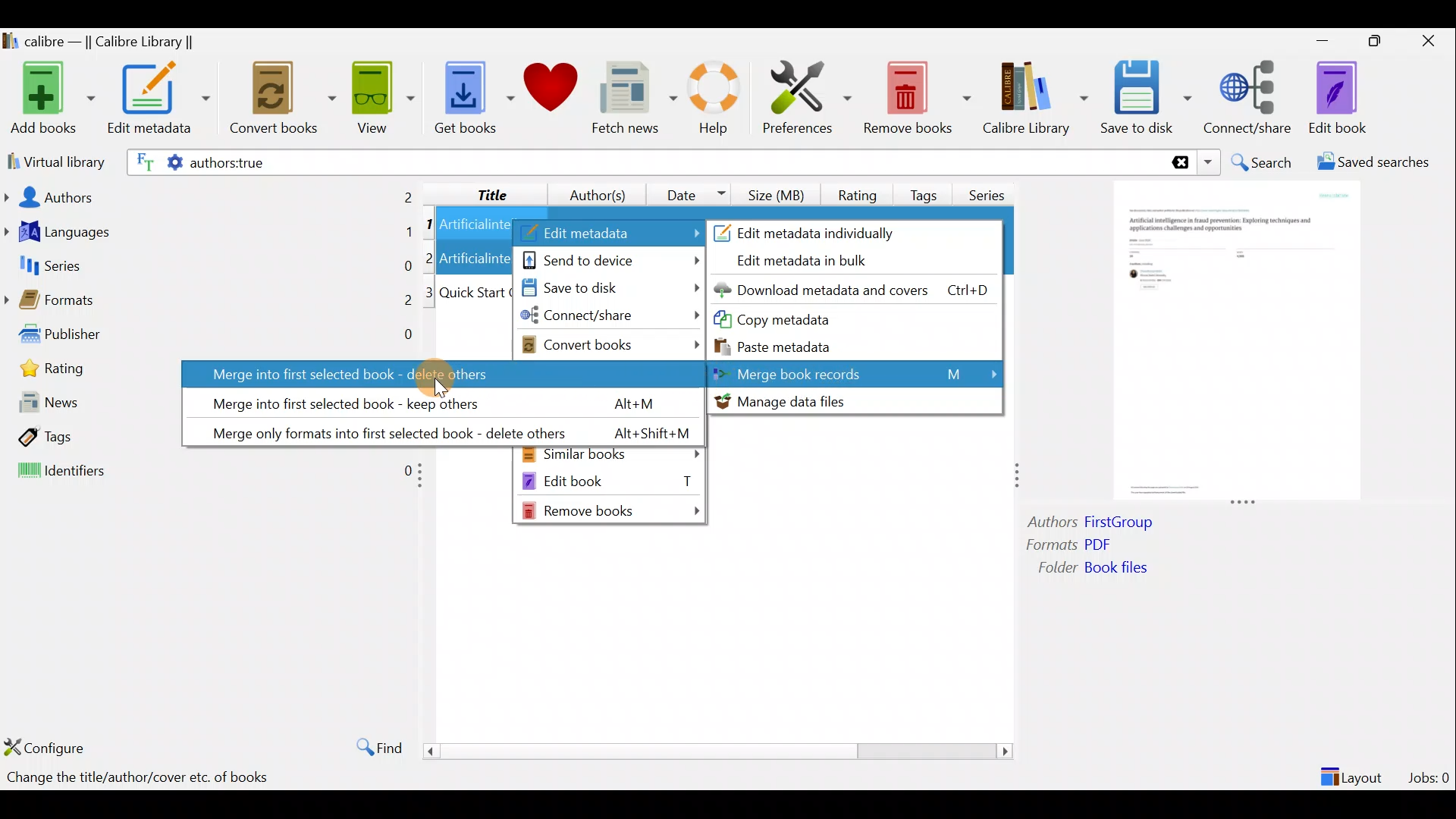 This screenshot has width=1456, height=819. I want to click on Rating, so click(858, 193).